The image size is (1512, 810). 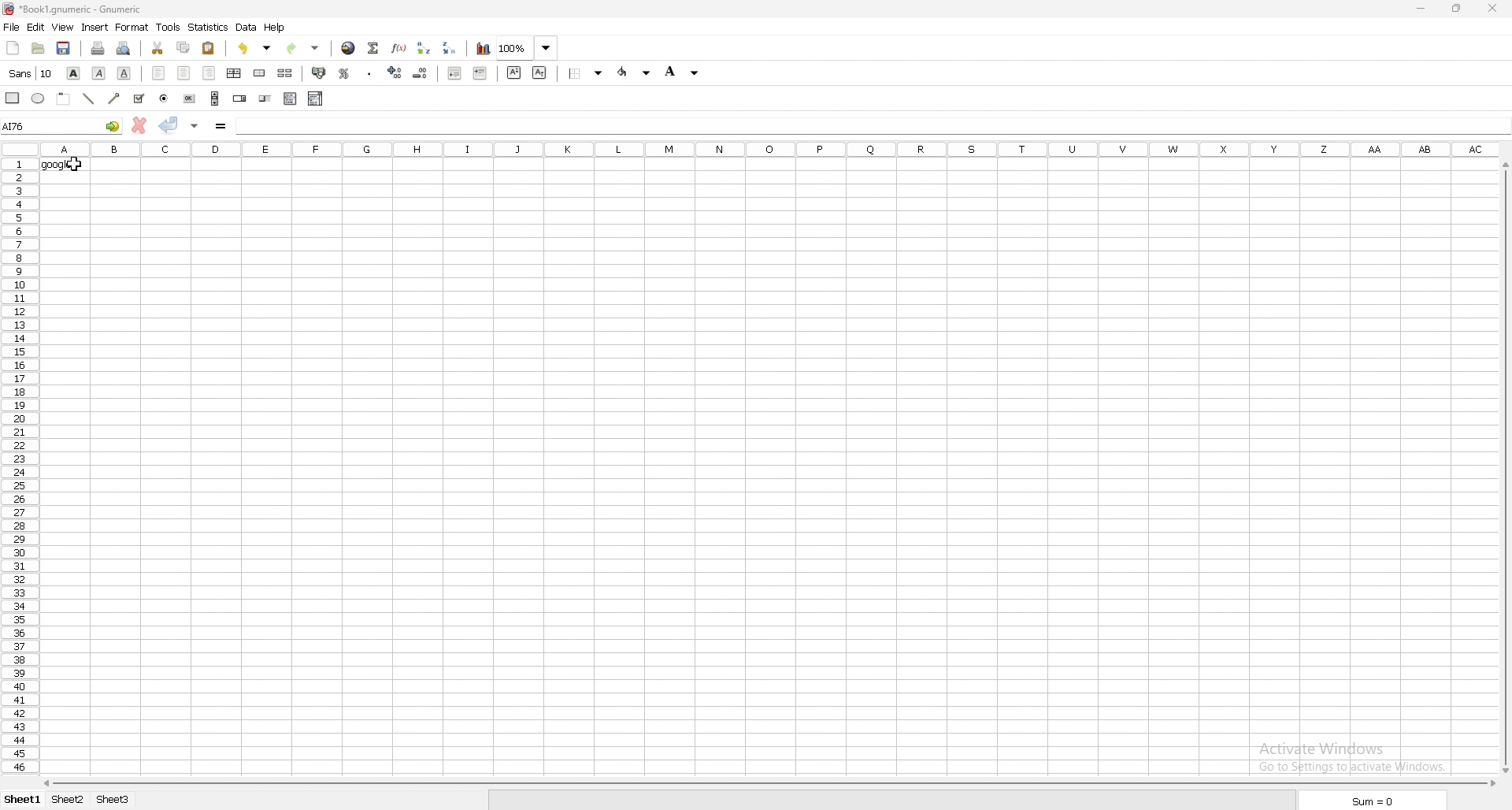 I want to click on tools, so click(x=168, y=27).